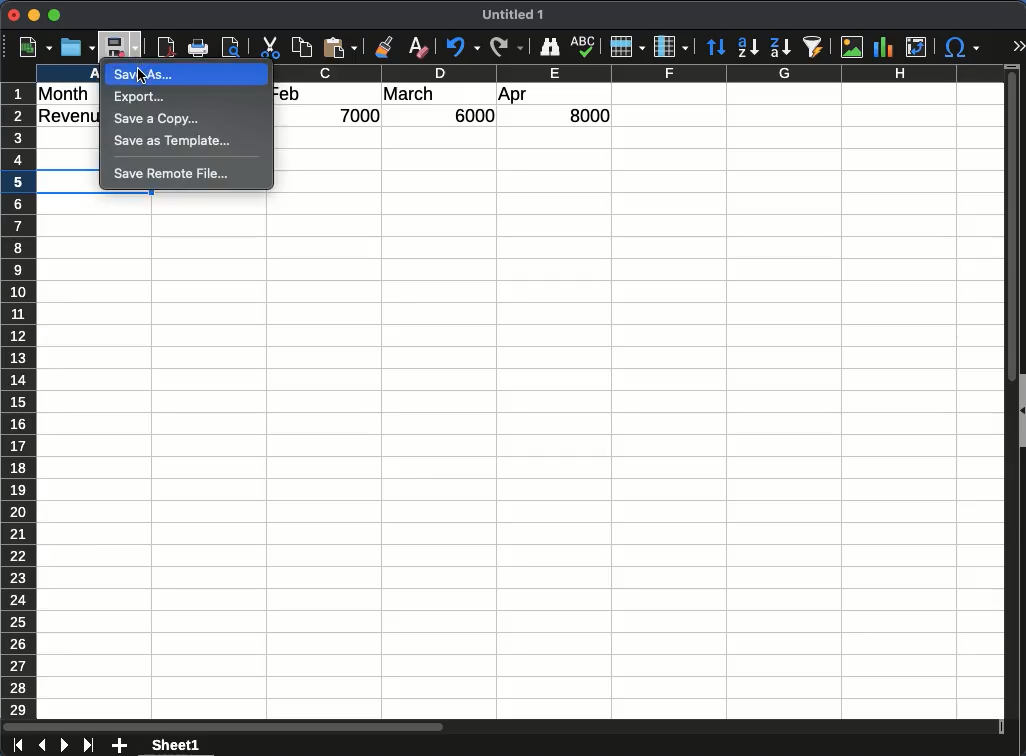  What do you see at coordinates (88, 746) in the screenshot?
I see `last sheet` at bounding box center [88, 746].